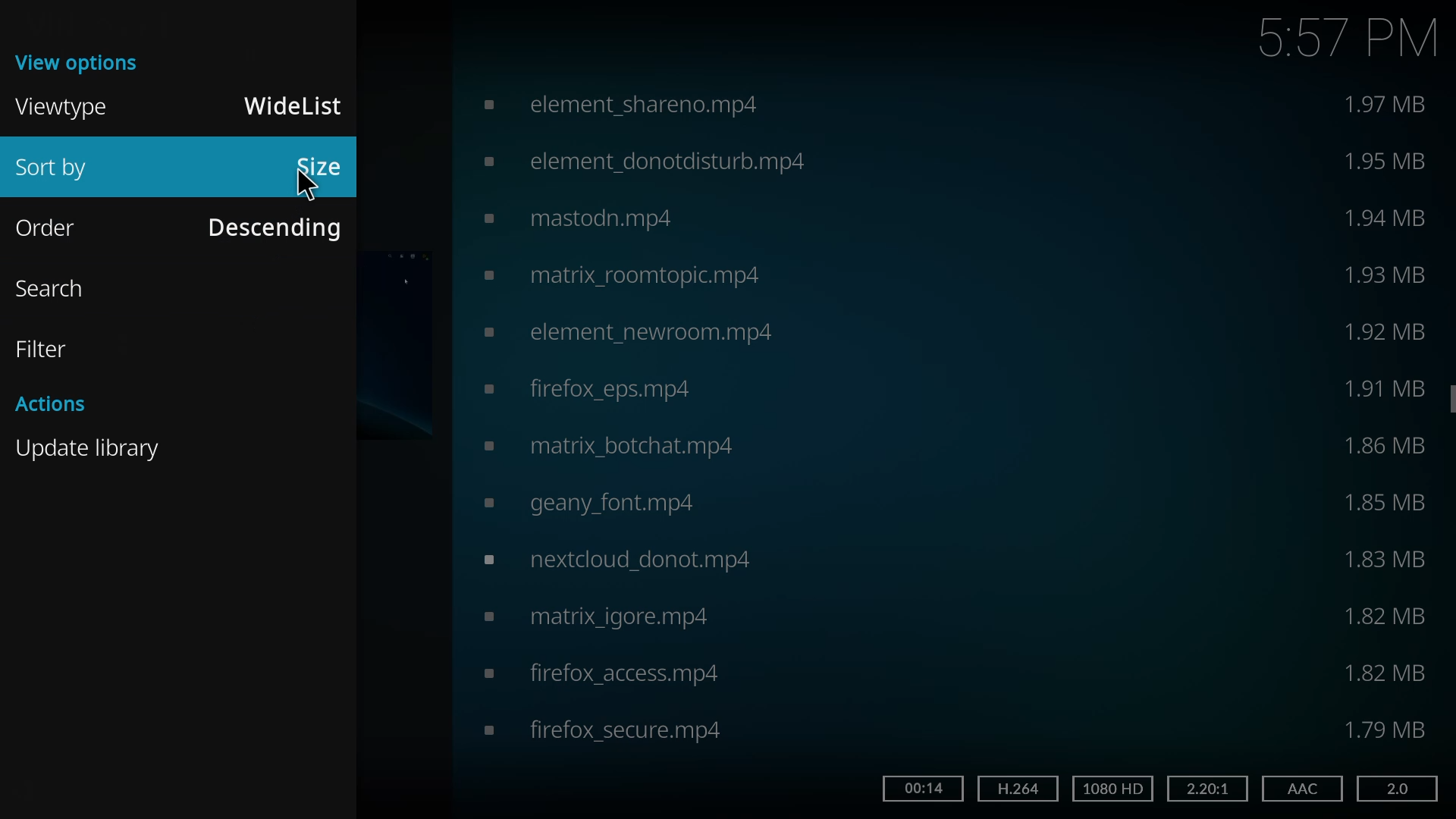 Image resolution: width=1456 pixels, height=819 pixels. I want to click on video, so click(630, 329).